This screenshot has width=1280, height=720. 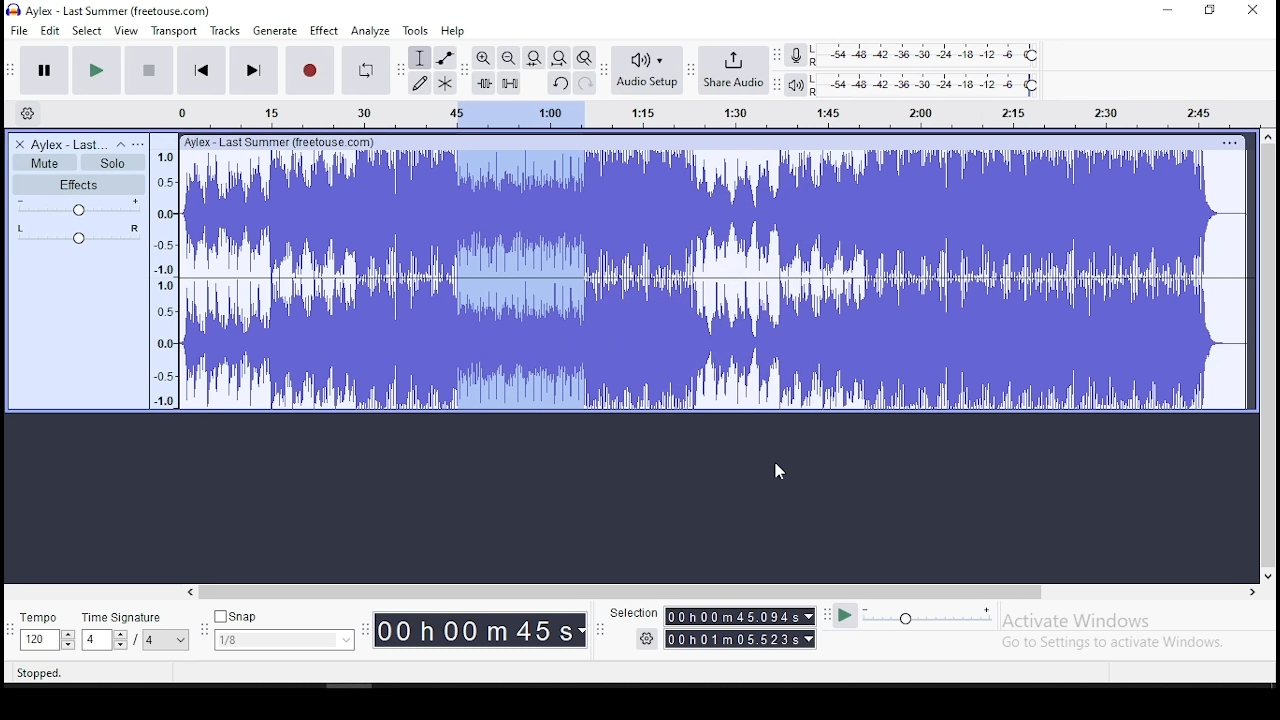 I want to click on multi tool, so click(x=444, y=85).